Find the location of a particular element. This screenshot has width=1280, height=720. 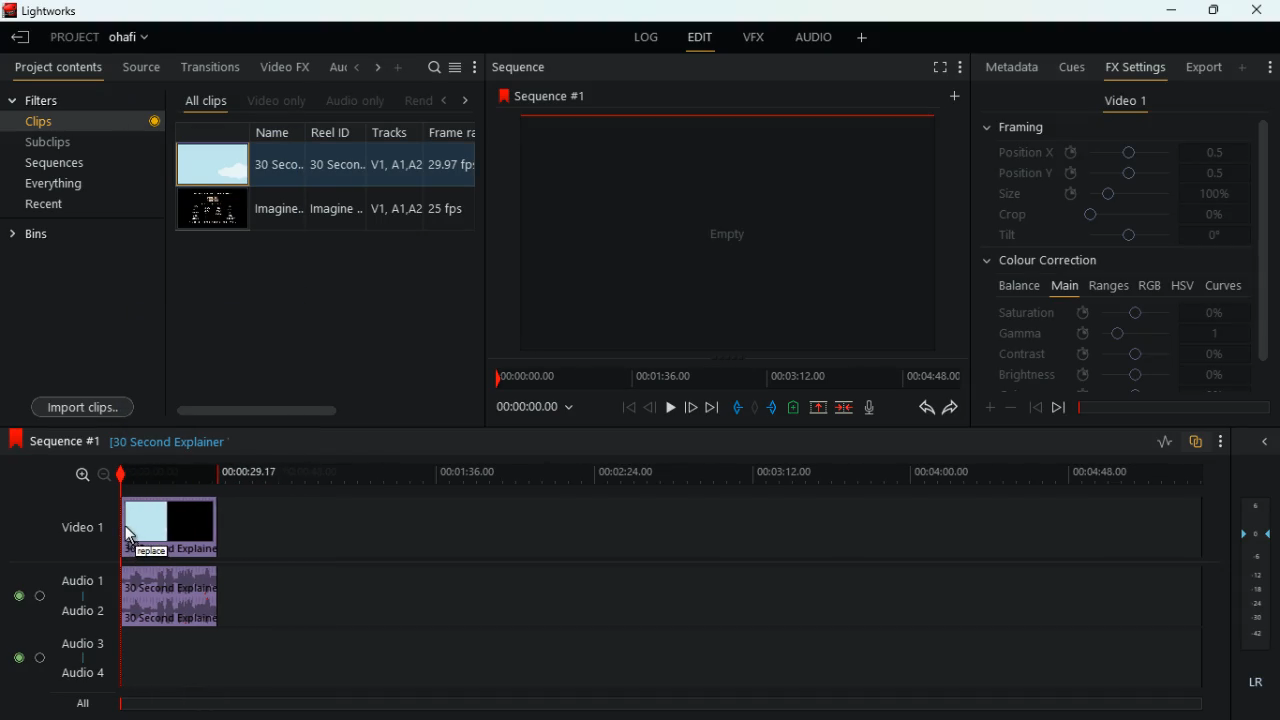

timeline is located at coordinates (666, 705).